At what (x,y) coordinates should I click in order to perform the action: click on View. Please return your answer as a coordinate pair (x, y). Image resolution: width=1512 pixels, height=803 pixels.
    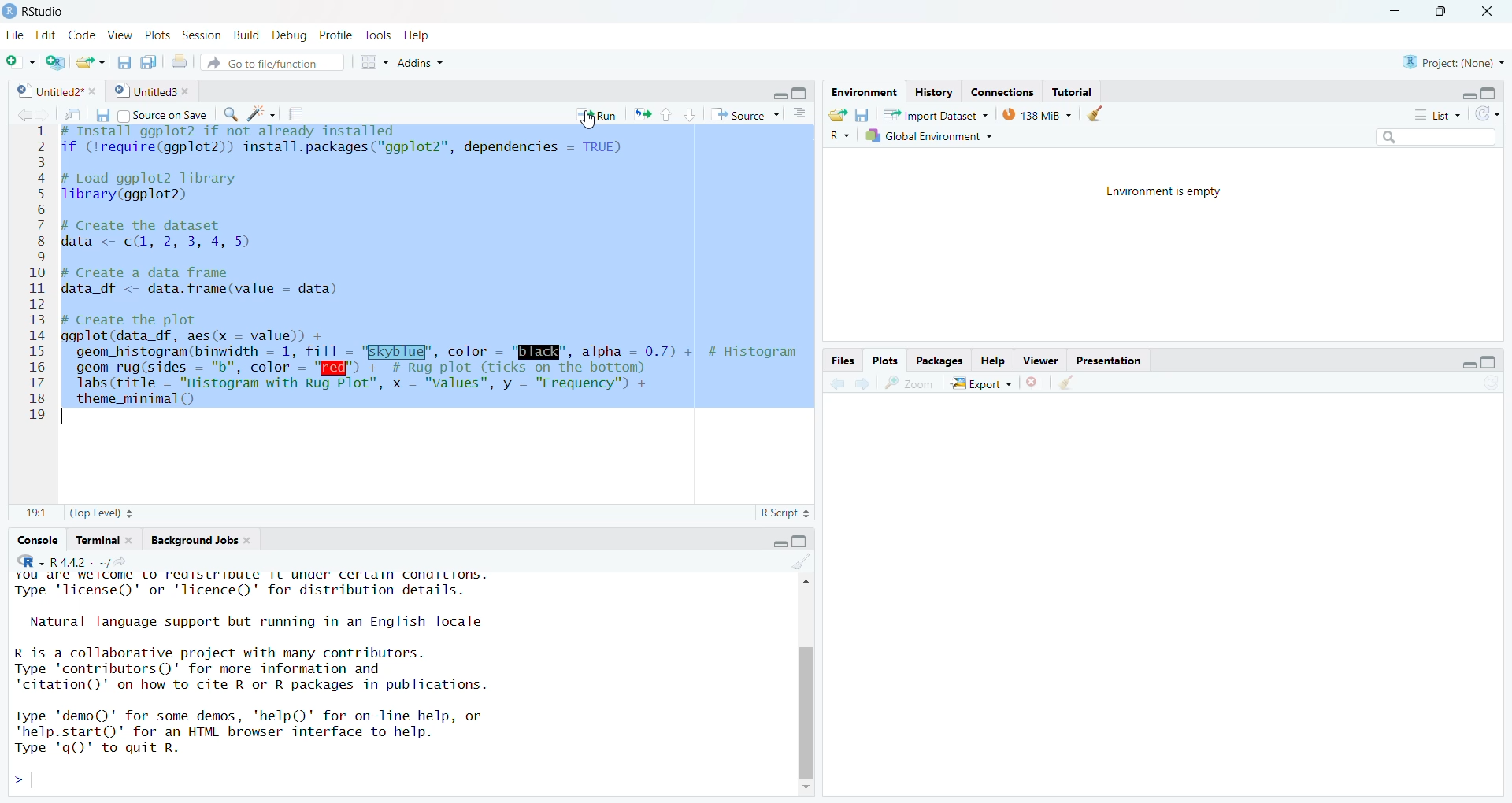
    Looking at the image, I should click on (120, 35).